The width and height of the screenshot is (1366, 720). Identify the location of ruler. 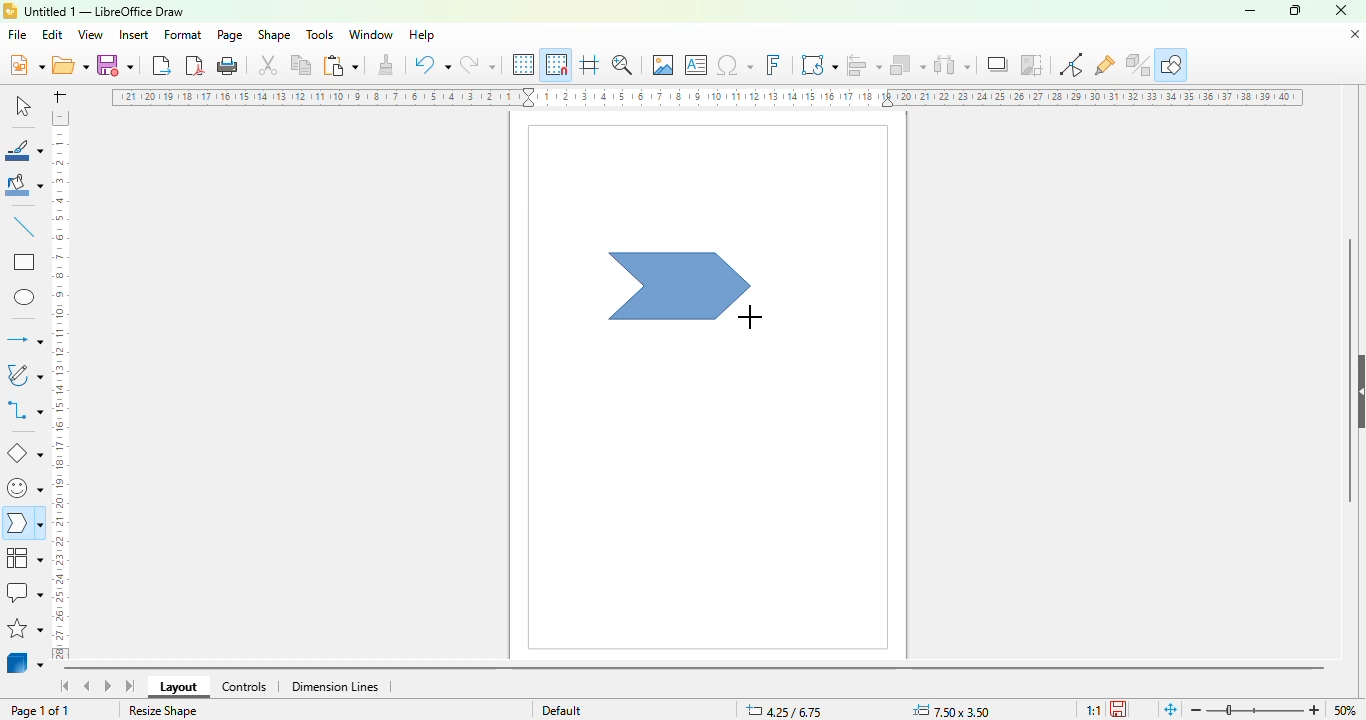
(59, 385).